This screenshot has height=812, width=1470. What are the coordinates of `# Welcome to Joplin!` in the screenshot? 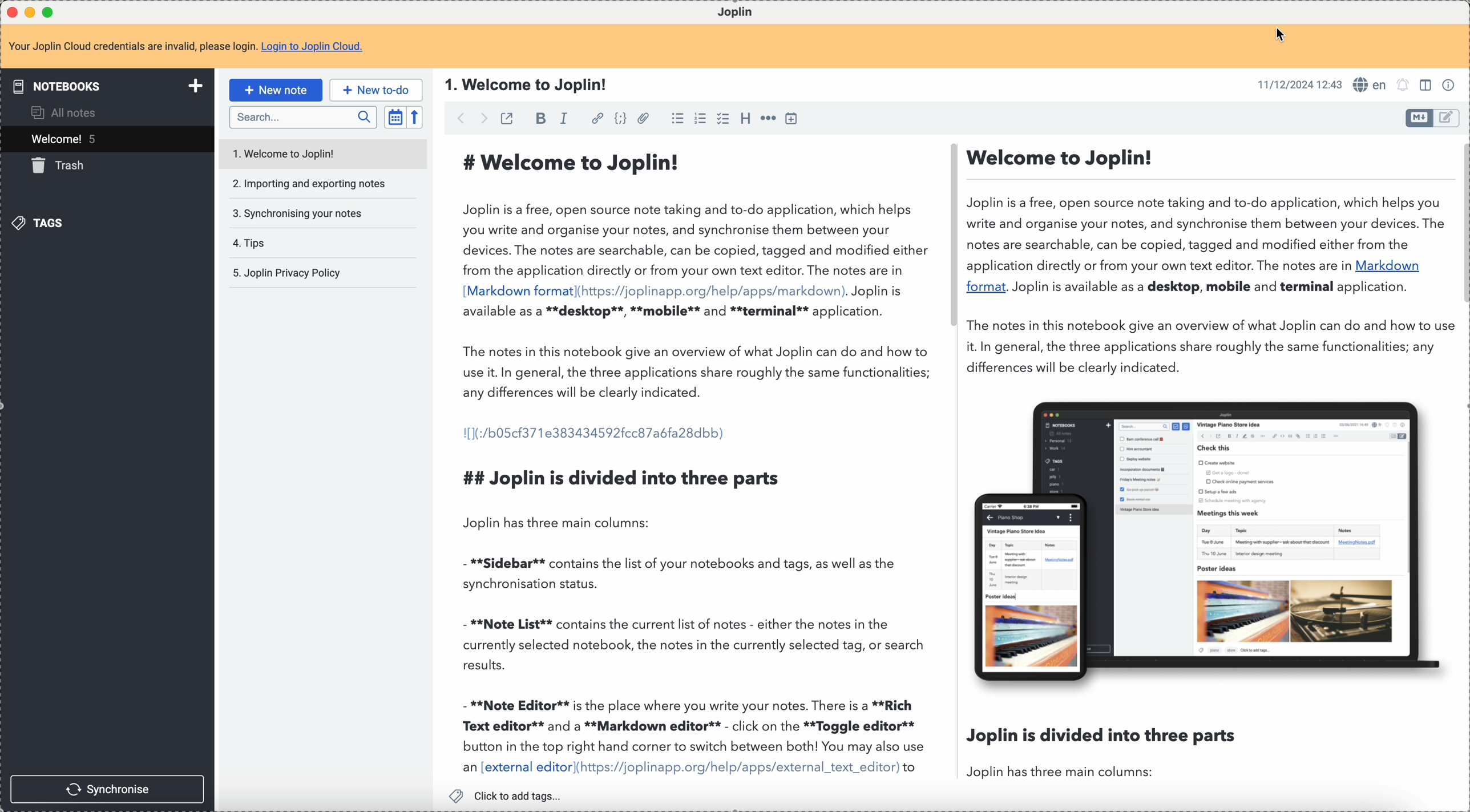 It's located at (576, 162).